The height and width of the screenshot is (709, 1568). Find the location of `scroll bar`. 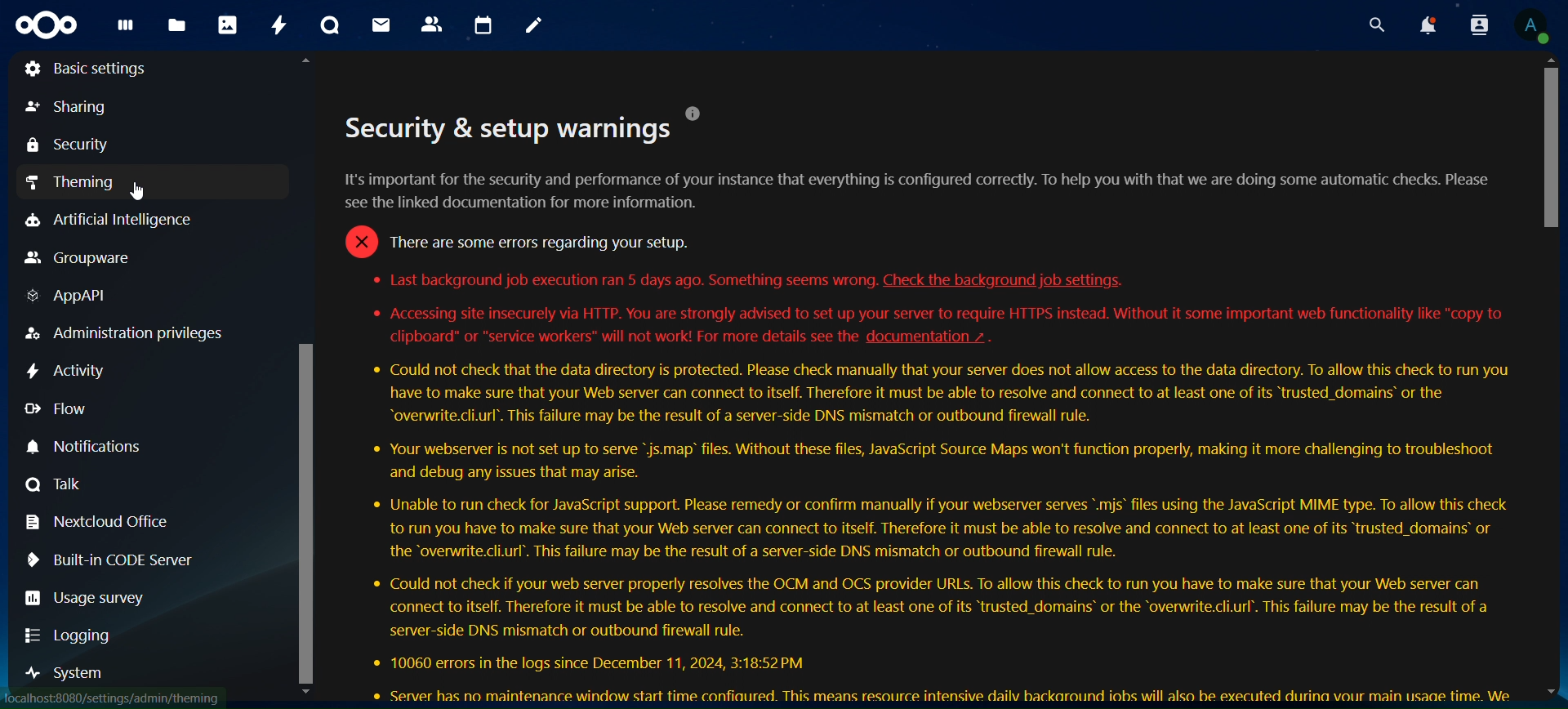

scroll bar is located at coordinates (305, 515).